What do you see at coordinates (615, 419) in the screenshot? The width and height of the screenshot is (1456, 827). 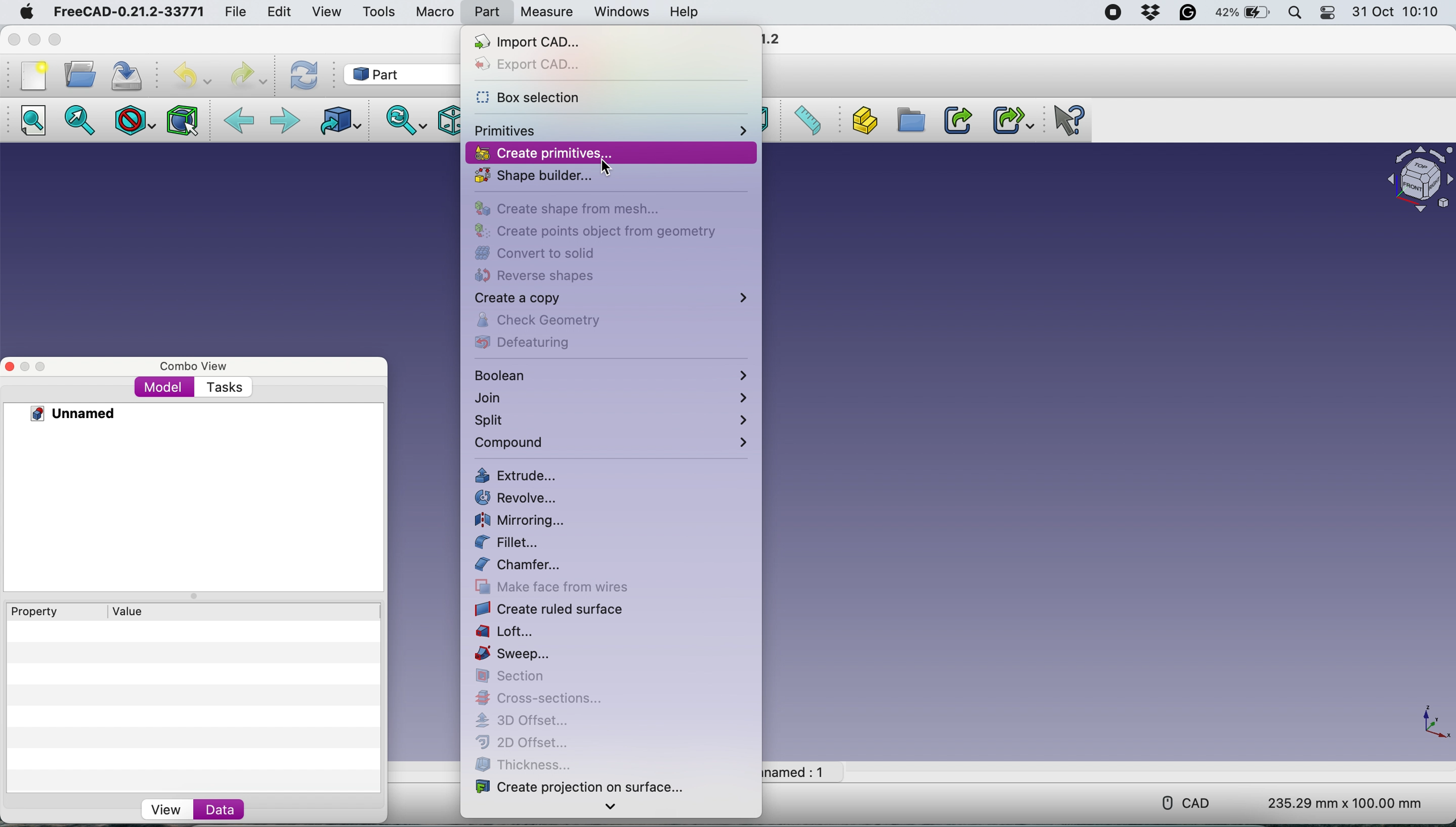 I see `split` at bounding box center [615, 419].